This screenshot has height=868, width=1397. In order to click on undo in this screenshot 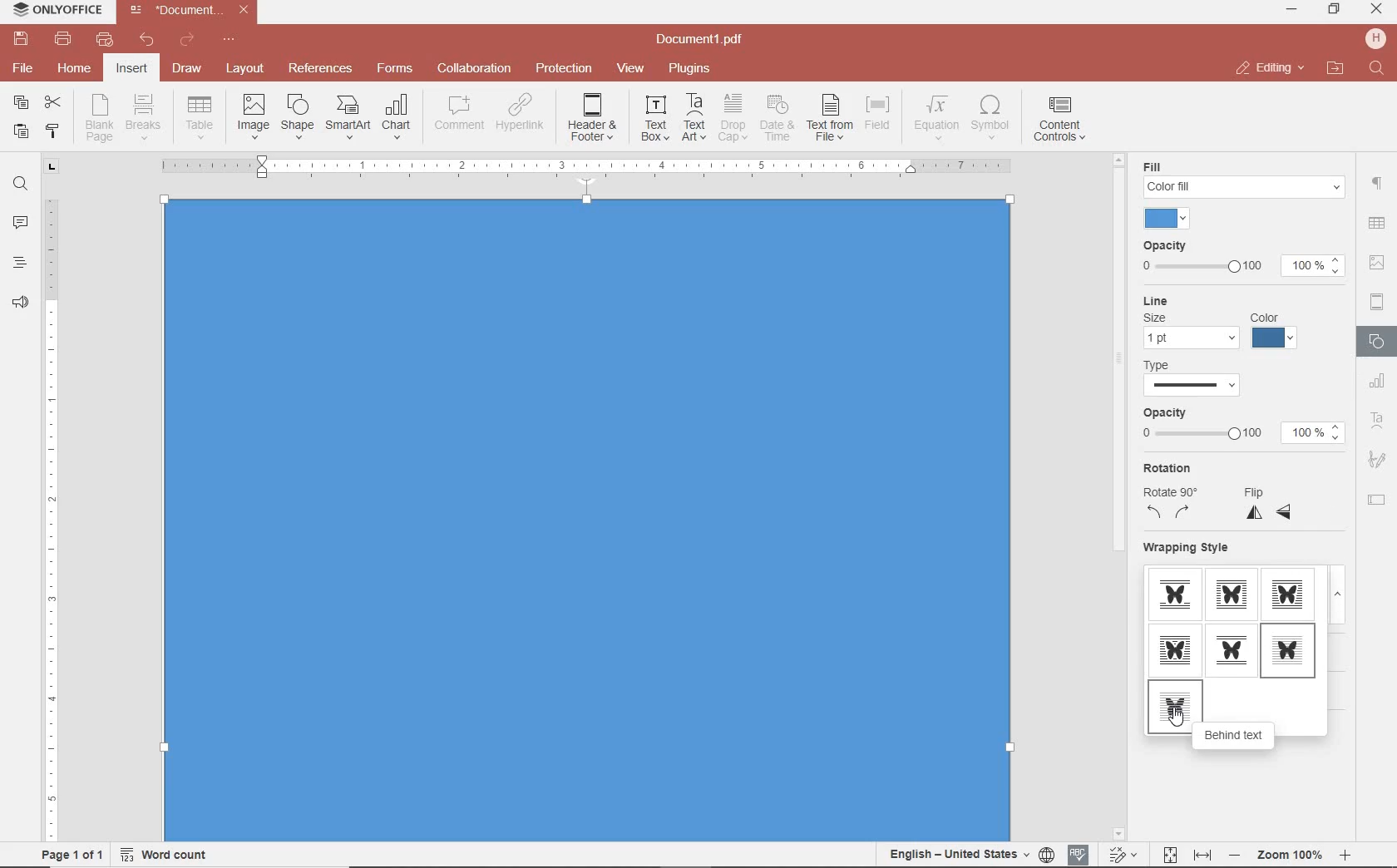, I will do `click(147, 40)`.